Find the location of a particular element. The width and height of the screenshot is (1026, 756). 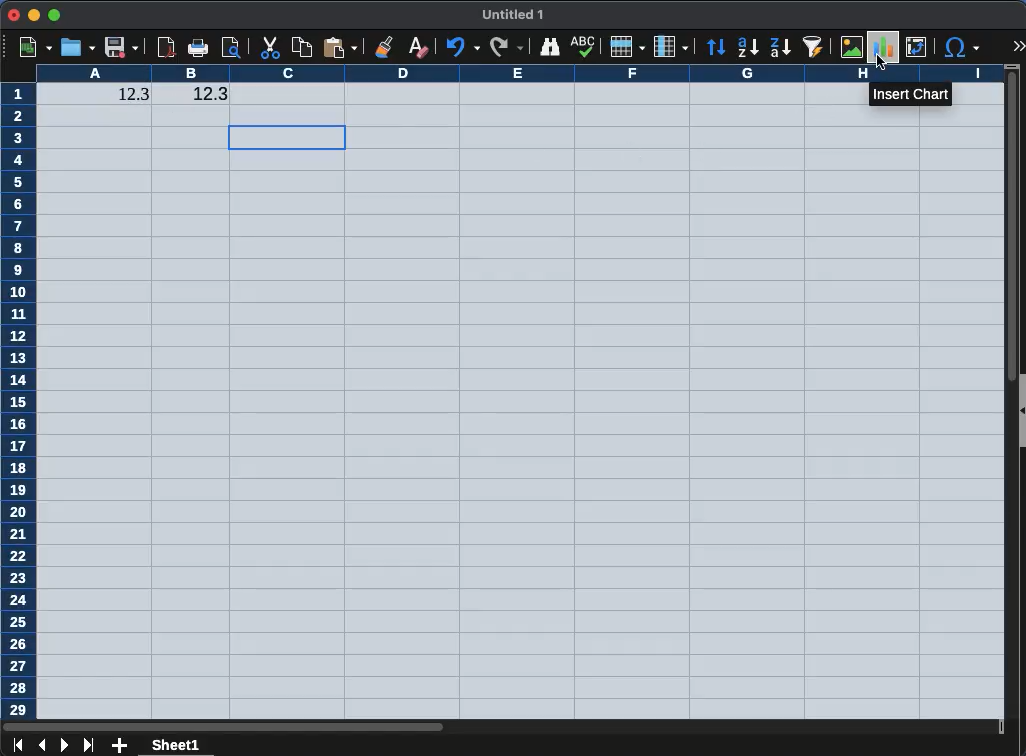

chart, highlighted is located at coordinates (886, 47).